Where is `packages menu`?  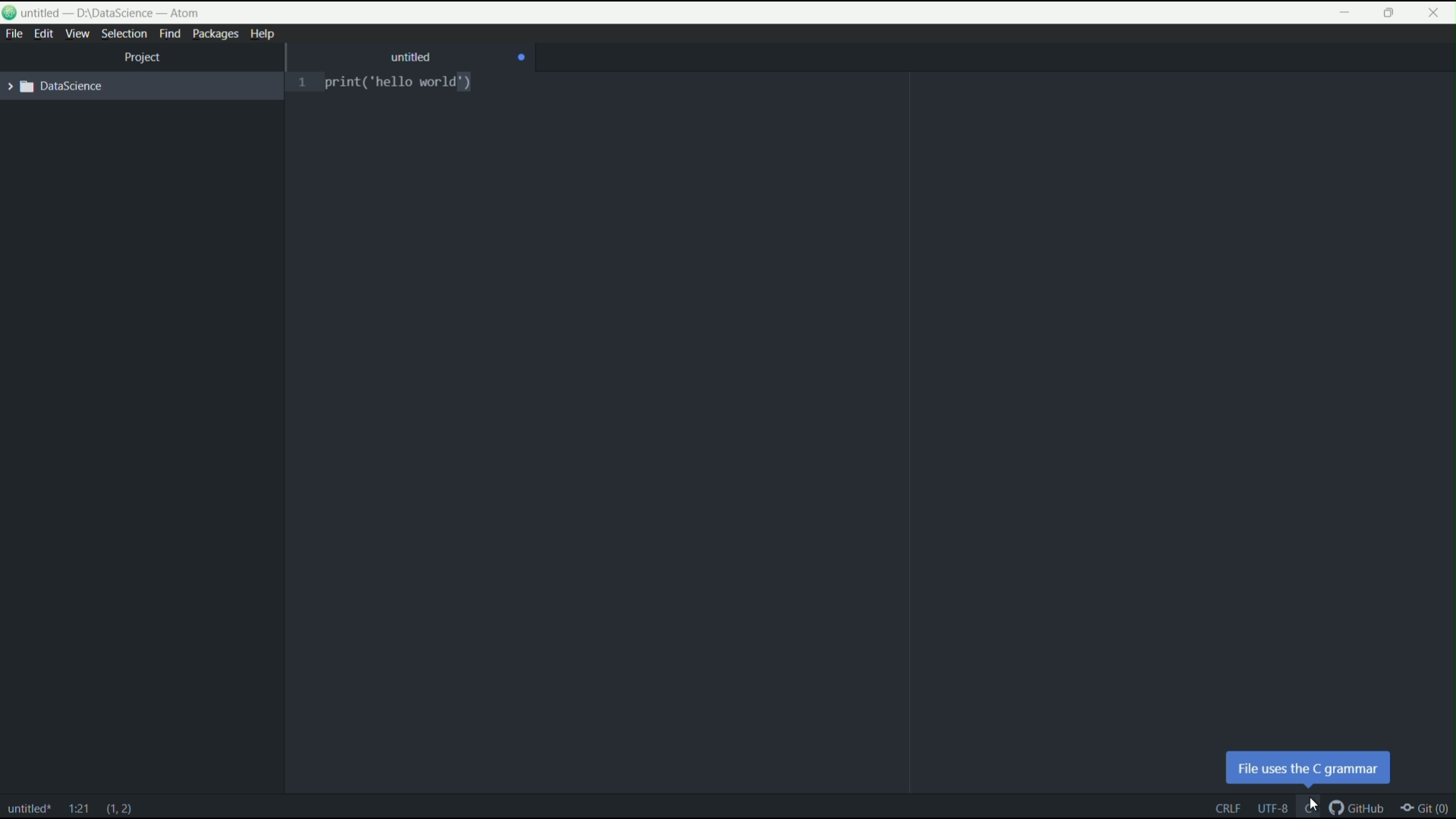 packages menu is located at coordinates (215, 33).